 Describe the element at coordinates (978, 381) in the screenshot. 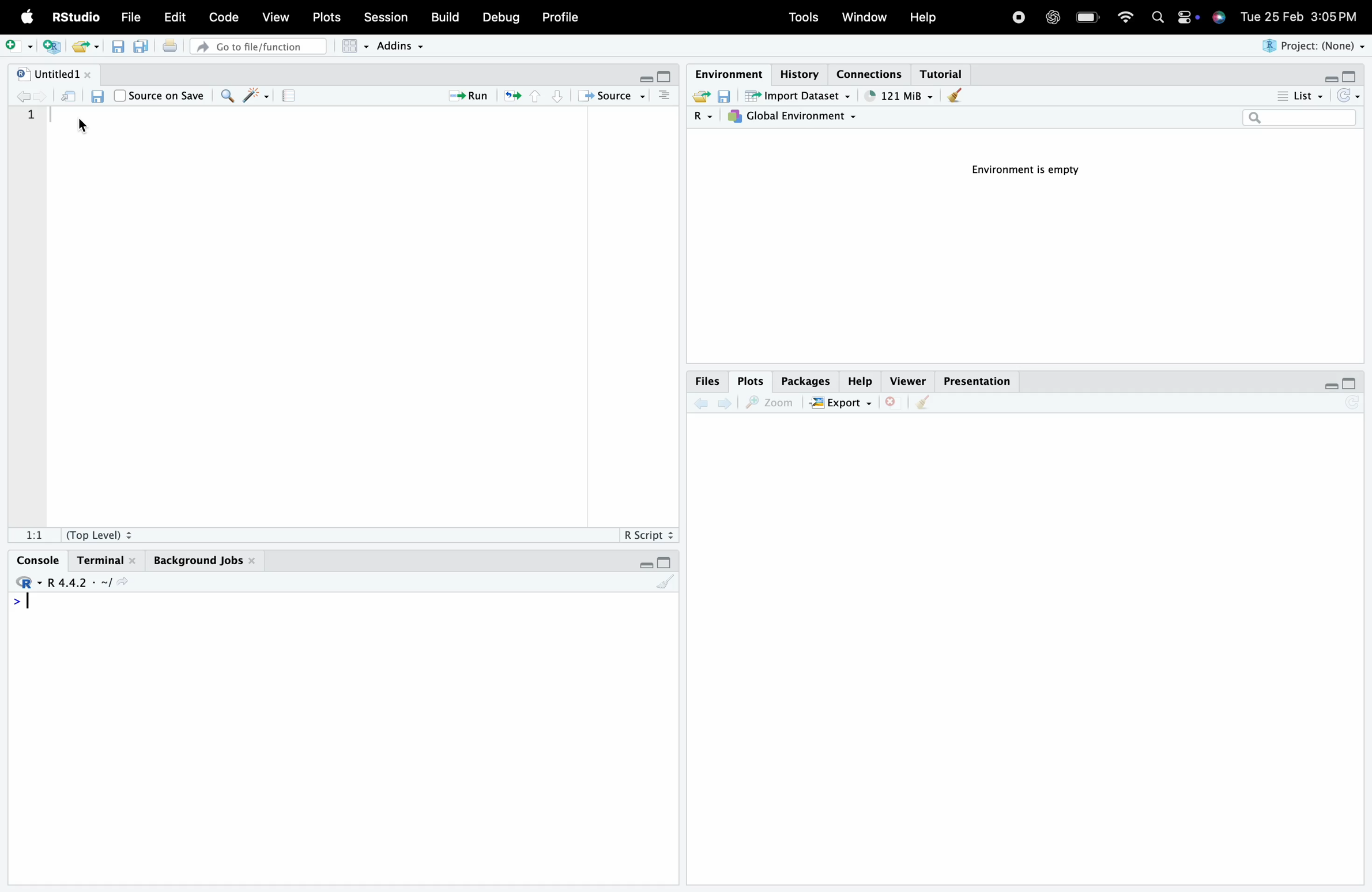

I see `Presentation` at that location.